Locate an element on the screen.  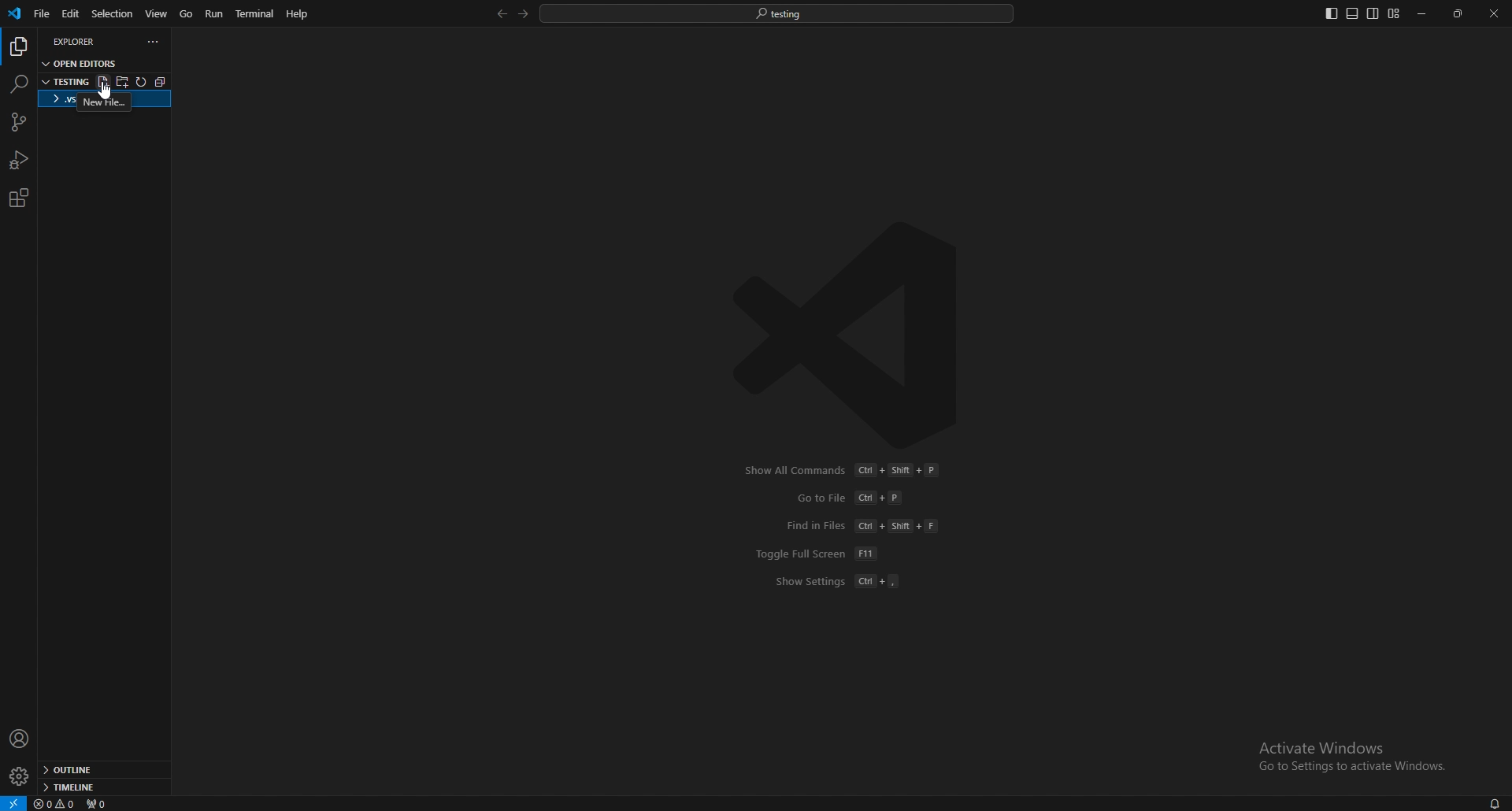
activate windows is located at coordinates (1350, 750).